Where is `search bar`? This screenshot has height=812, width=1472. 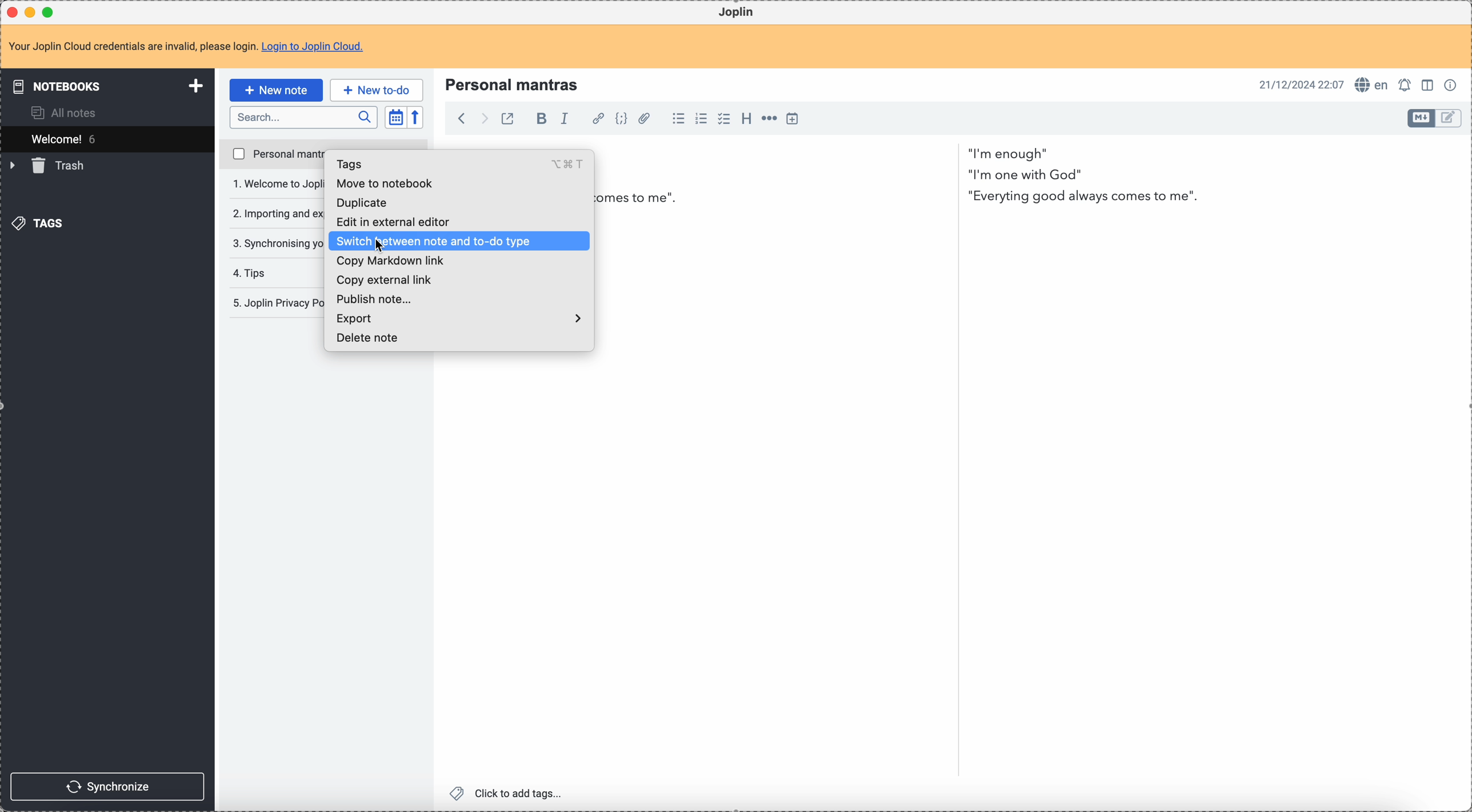
search bar is located at coordinates (303, 117).